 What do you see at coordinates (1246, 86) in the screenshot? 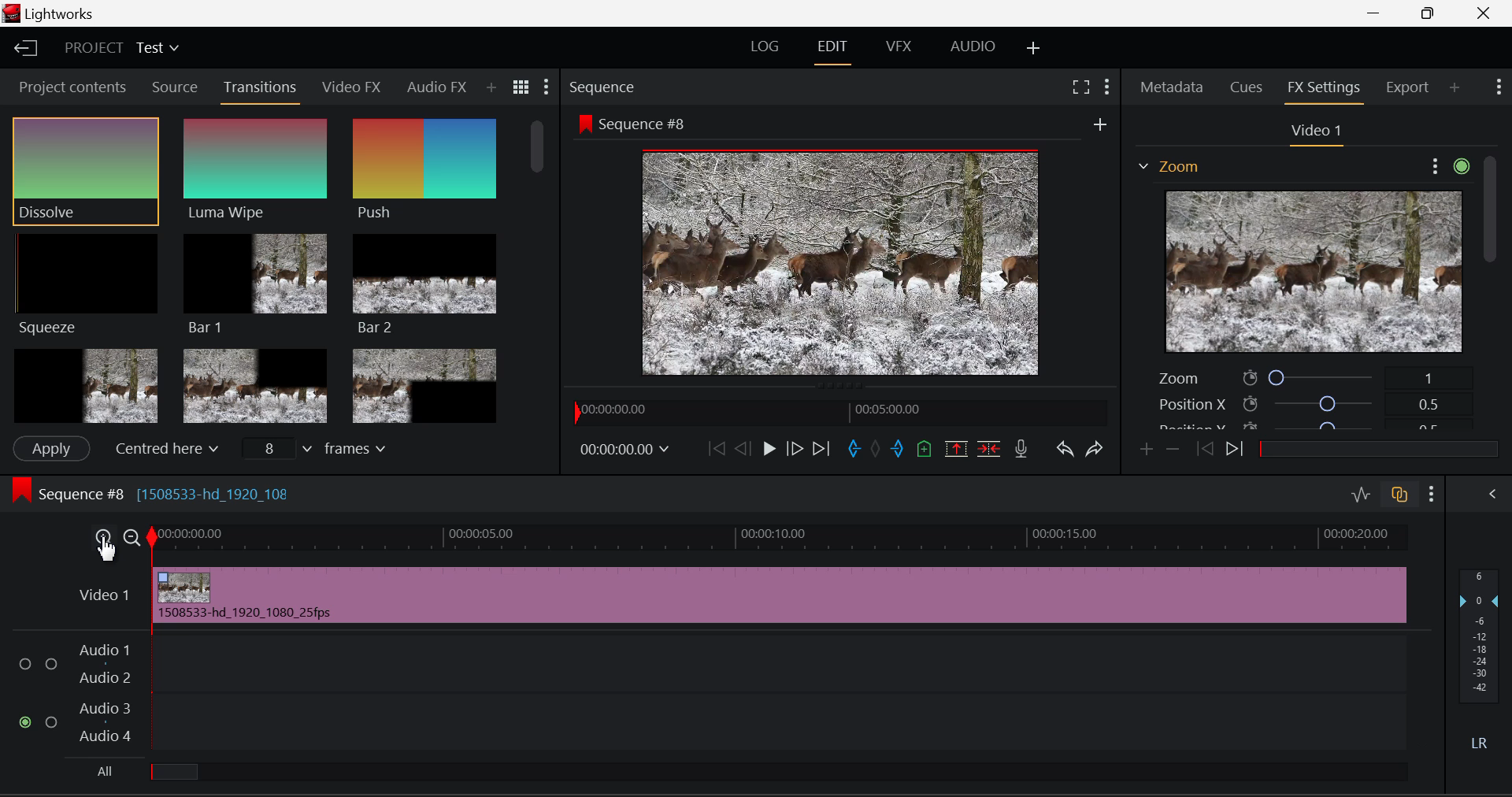
I see `Cues` at bounding box center [1246, 86].